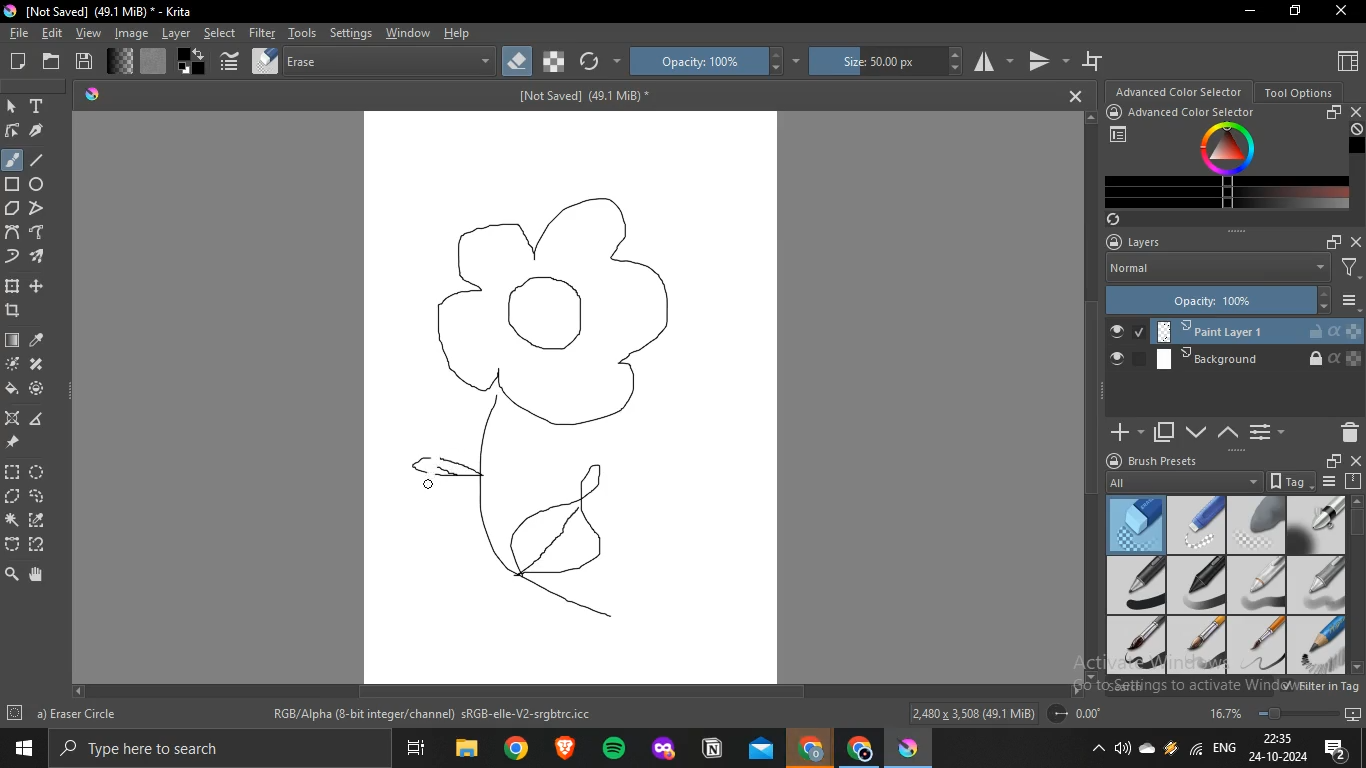 The height and width of the screenshot is (768, 1366). What do you see at coordinates (1235, 359) in the screenshot?
I see `Background` at bounding box center [1235, 359].